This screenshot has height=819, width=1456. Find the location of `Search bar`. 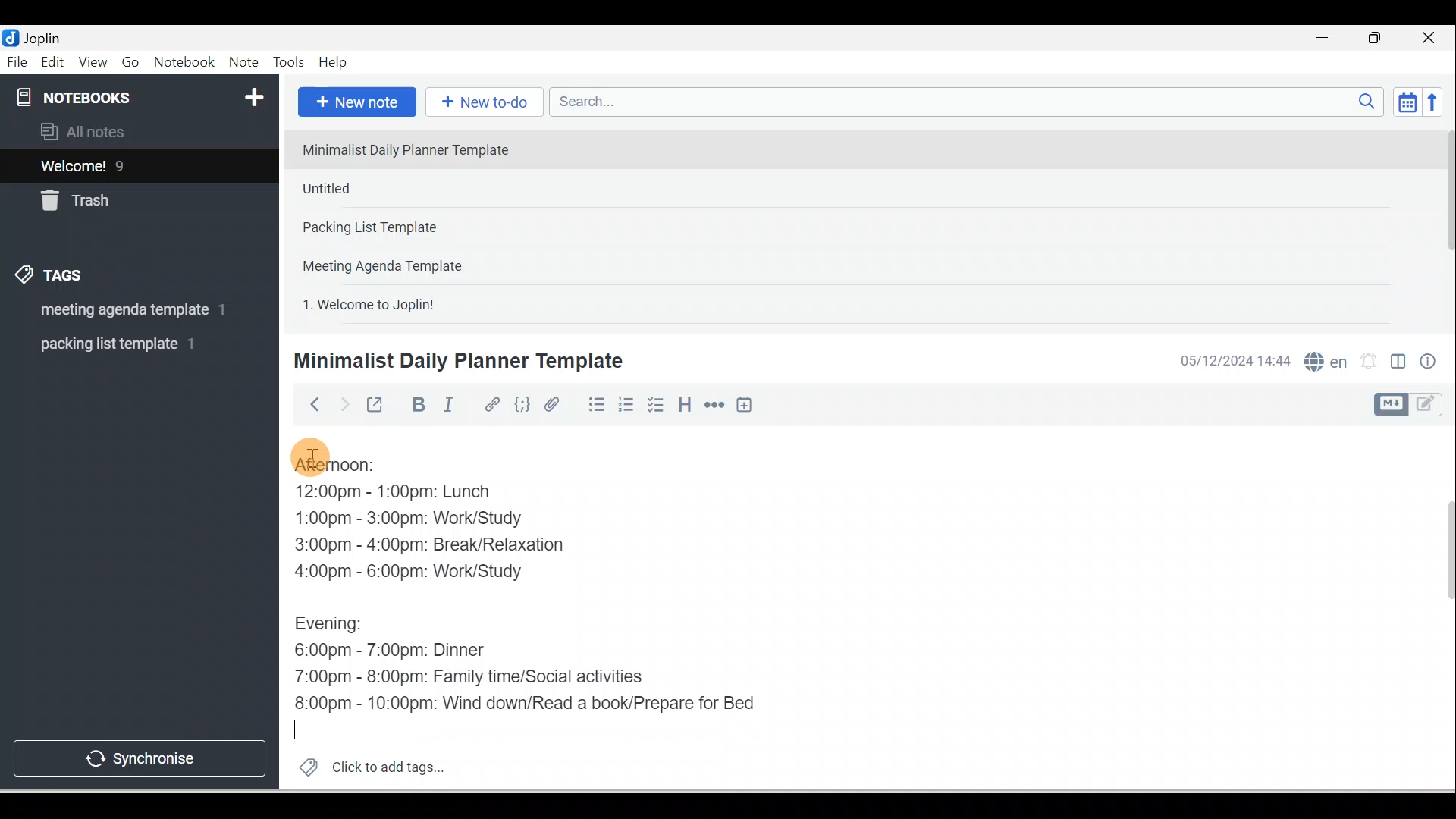

Search bar is located at coordinates (971, 102).